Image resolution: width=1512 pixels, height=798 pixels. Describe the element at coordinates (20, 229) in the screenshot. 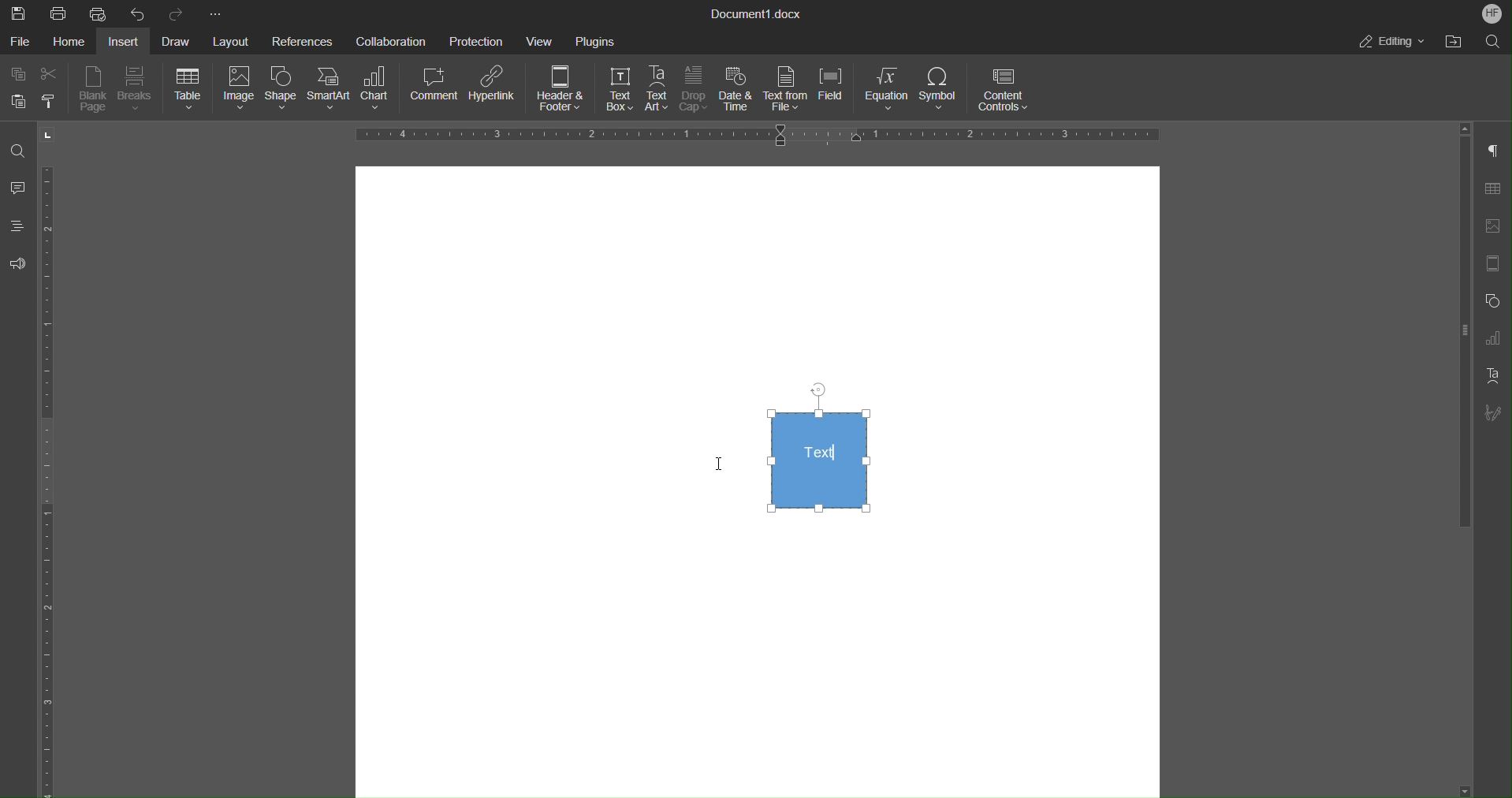

I see `Headings` at that location.